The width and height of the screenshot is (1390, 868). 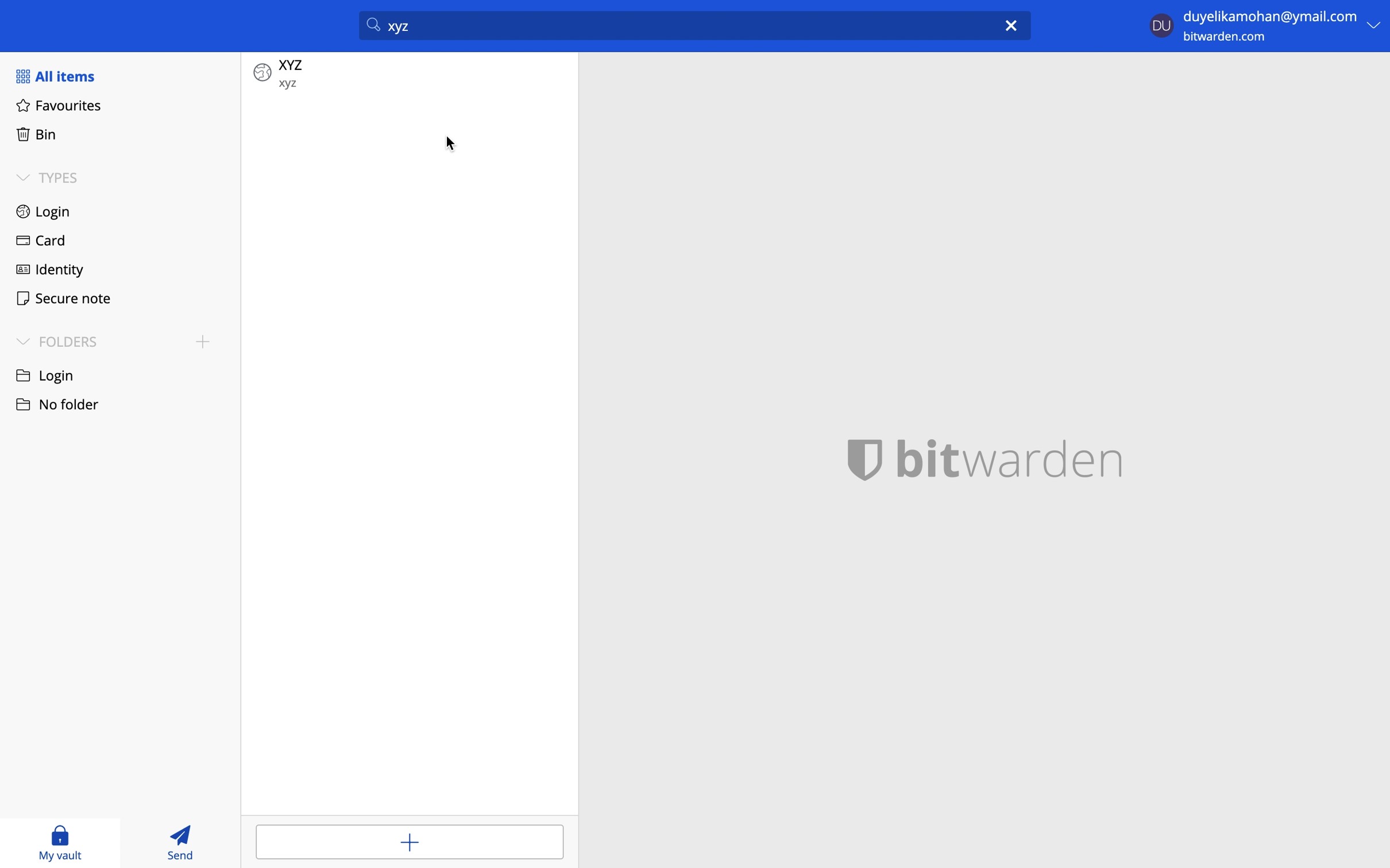 What do you see at coordinates (38, 135) in the screenshot?
I see `bin` at bounding box center [38, 135].